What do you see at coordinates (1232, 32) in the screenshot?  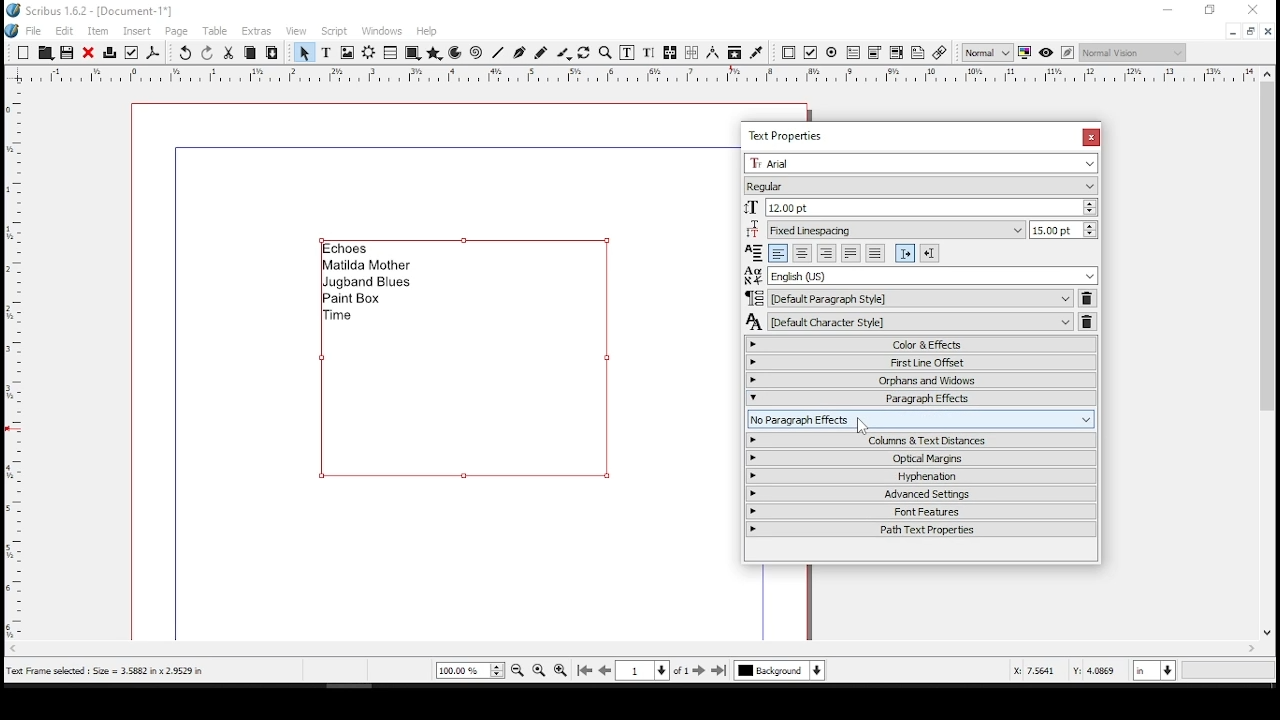 I see `minimize` at bounding box center [1232, 32].